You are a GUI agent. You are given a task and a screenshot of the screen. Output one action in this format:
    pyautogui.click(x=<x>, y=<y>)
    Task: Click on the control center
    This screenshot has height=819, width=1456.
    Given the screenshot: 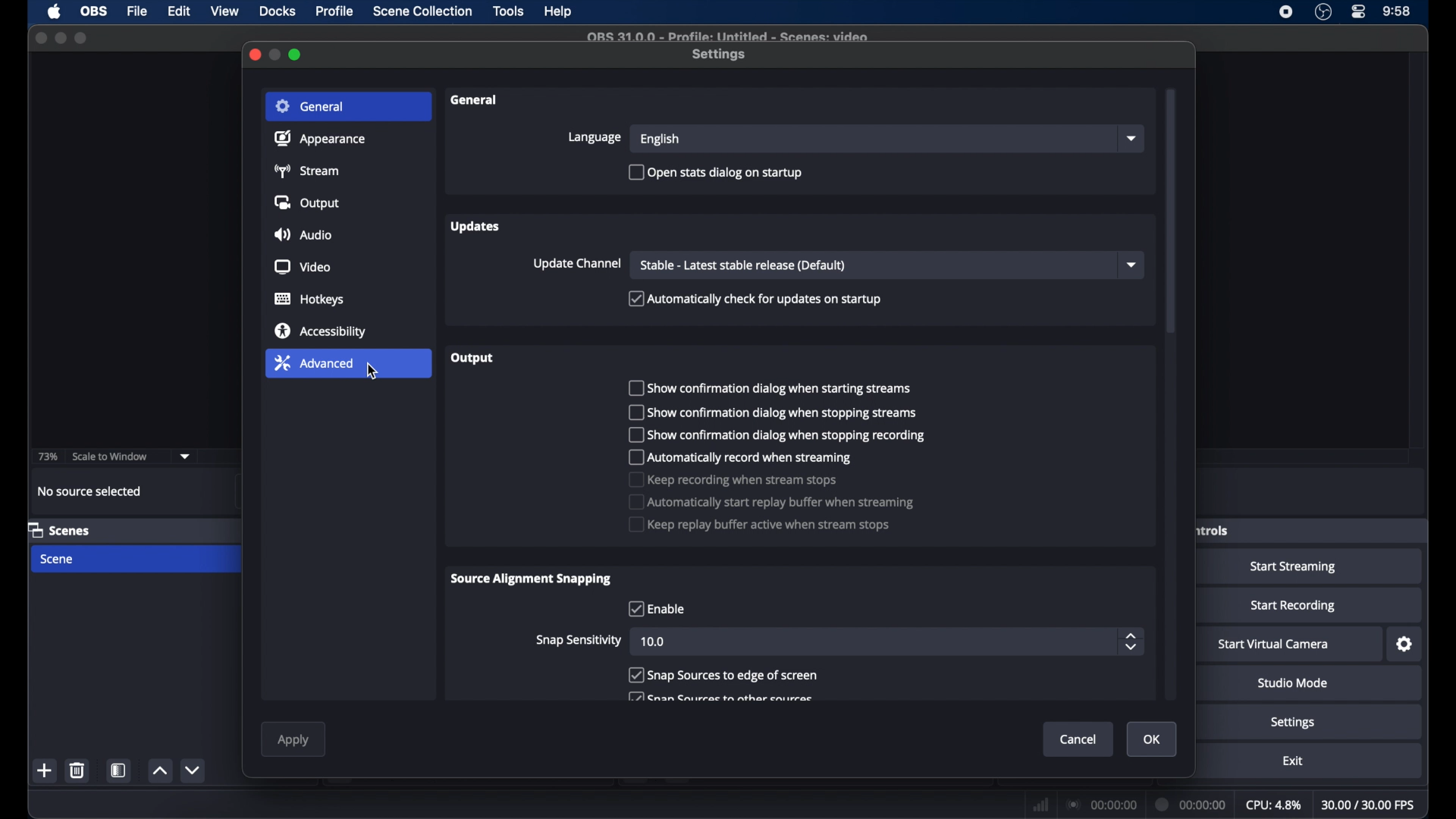 What is the action you would take?
    pyautogui.click(x=1359, y=12)
    